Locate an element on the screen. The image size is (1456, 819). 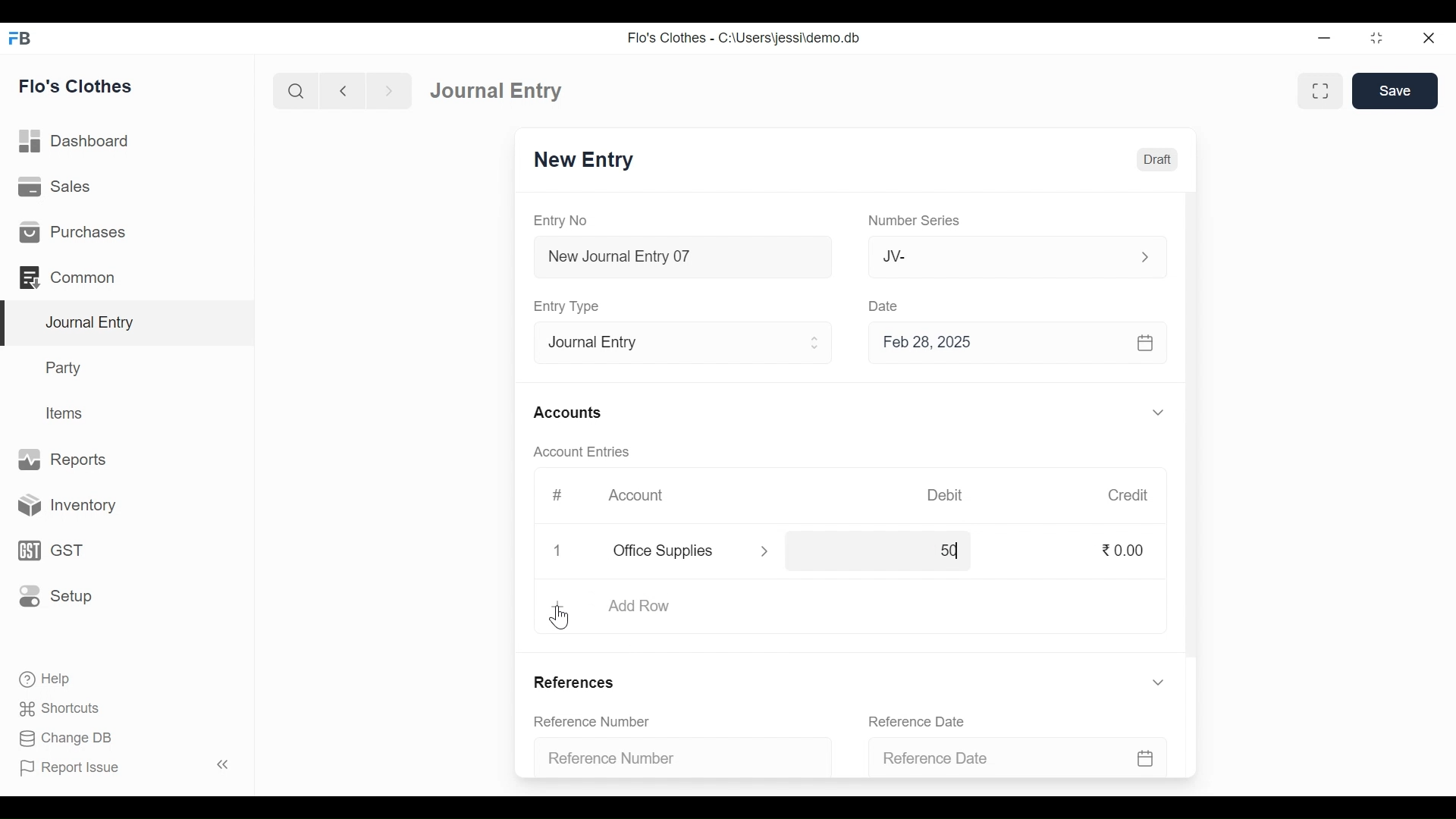
+ Add Row is located at coordinates (633, 607).